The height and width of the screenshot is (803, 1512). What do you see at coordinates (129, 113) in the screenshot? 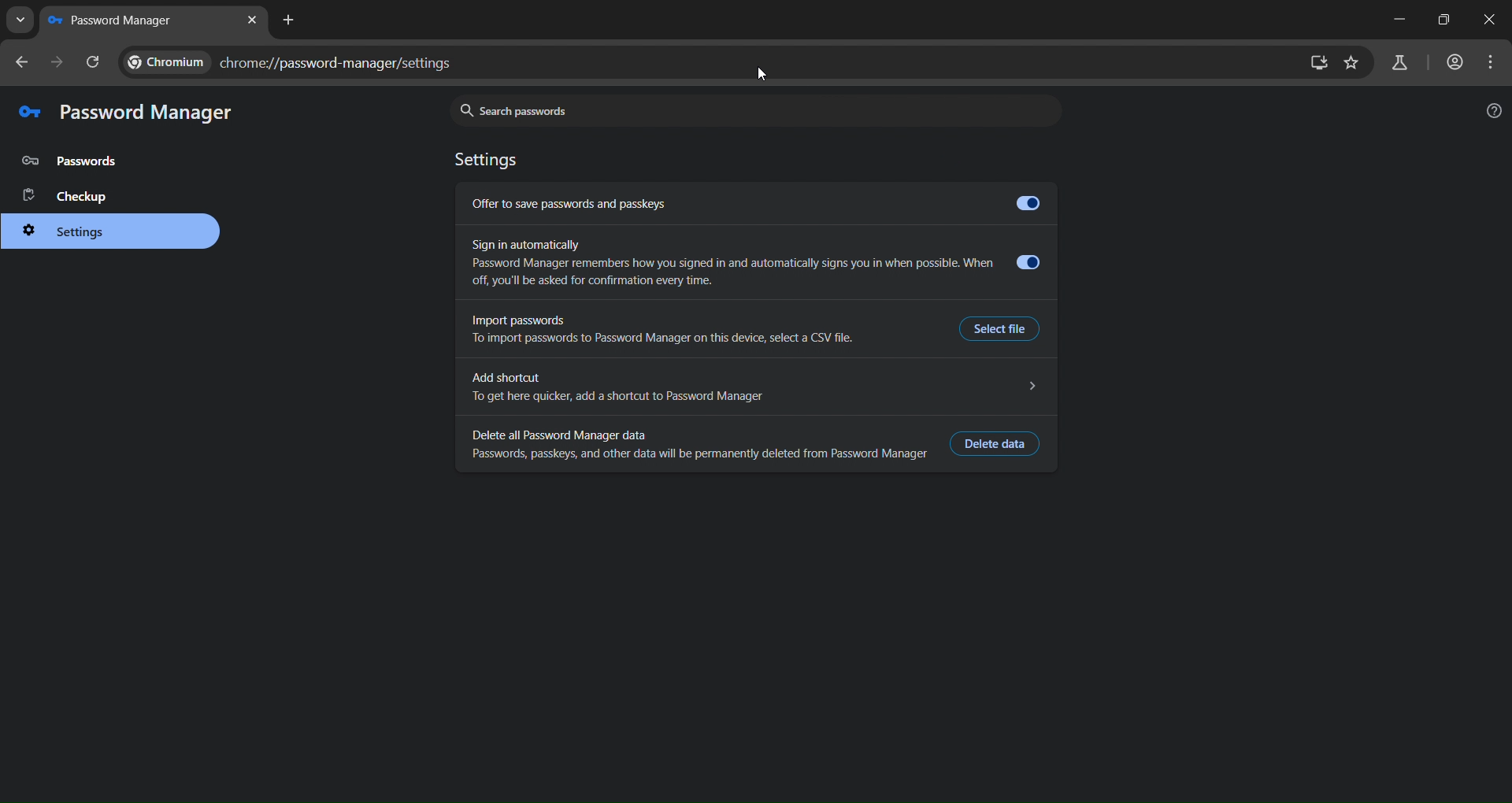
I see `password manager` at bounding box center [129, 113].